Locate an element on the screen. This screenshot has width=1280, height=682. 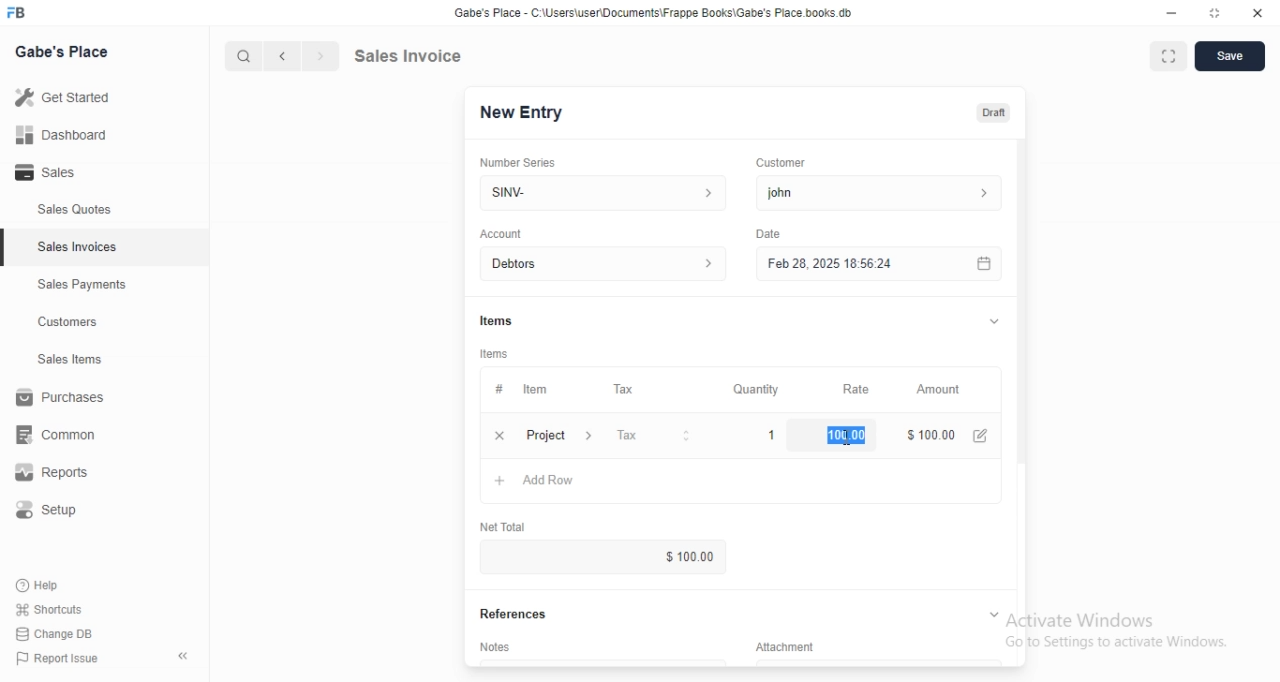
minimize is located at coordinates (1163, 15).